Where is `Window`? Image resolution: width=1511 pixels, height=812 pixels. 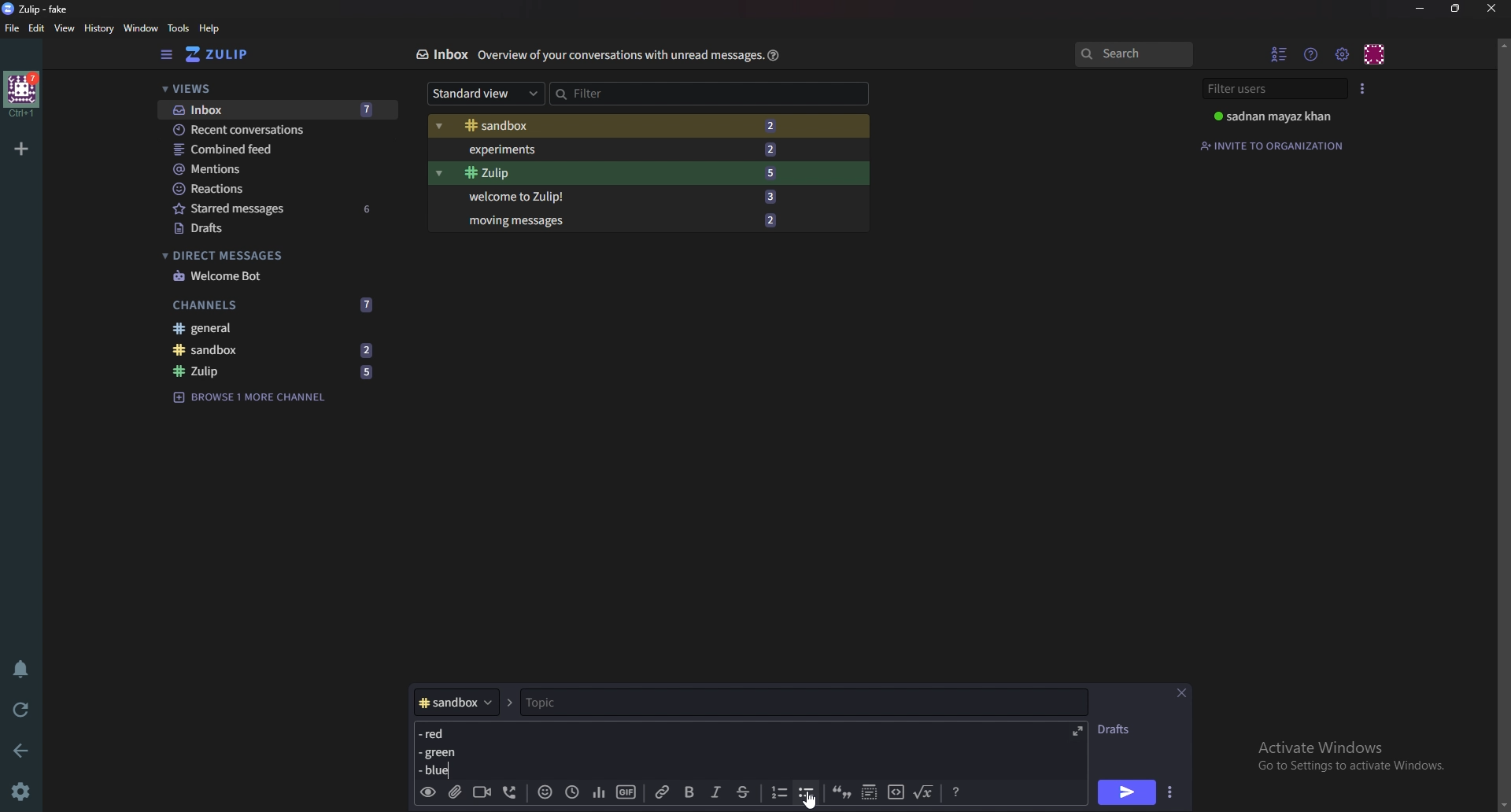 Window is located at coordinates (143, 28).